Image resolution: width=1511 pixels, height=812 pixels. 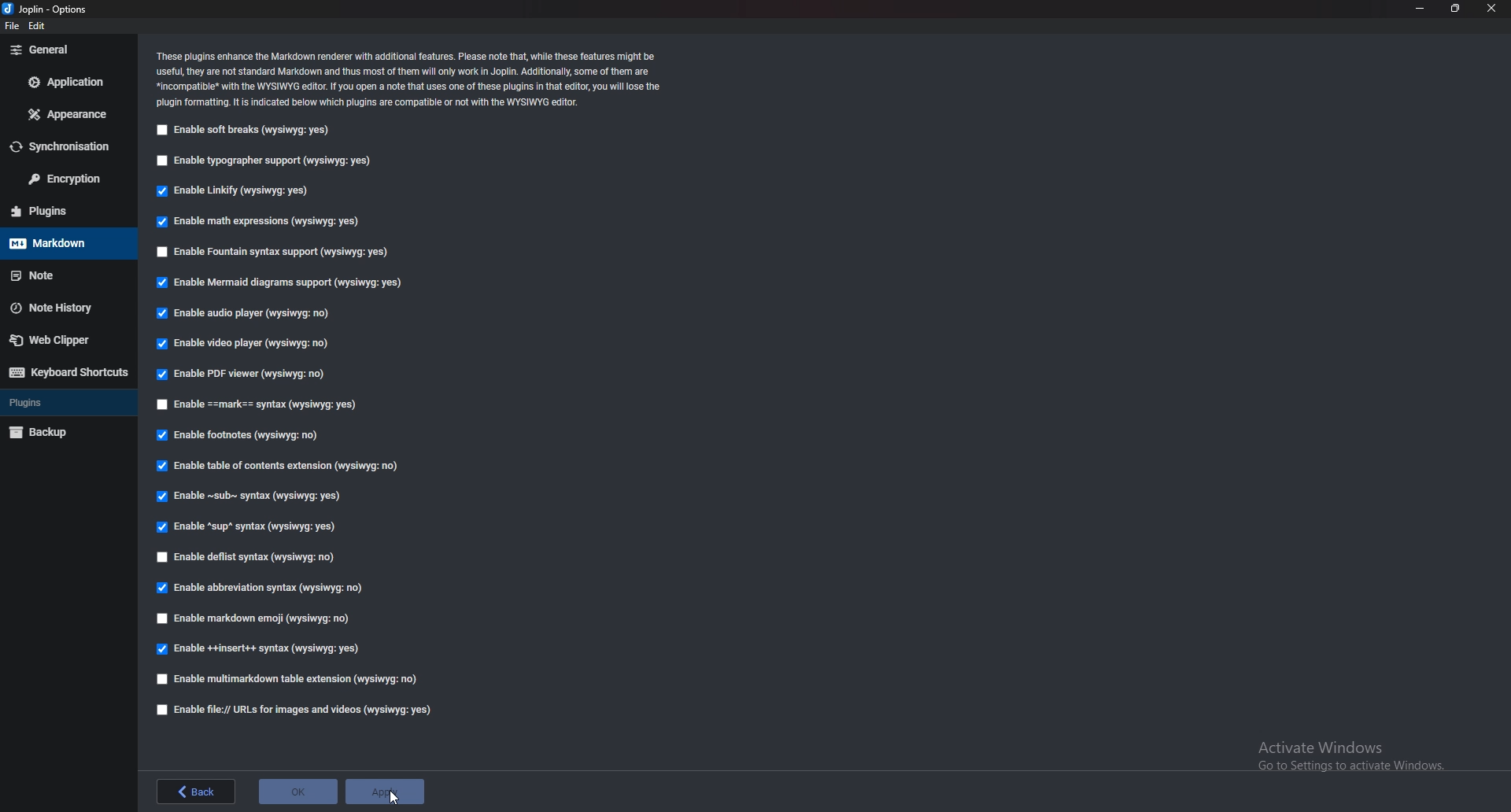 I want to click on Synchronization, so click(x=68, y=147).